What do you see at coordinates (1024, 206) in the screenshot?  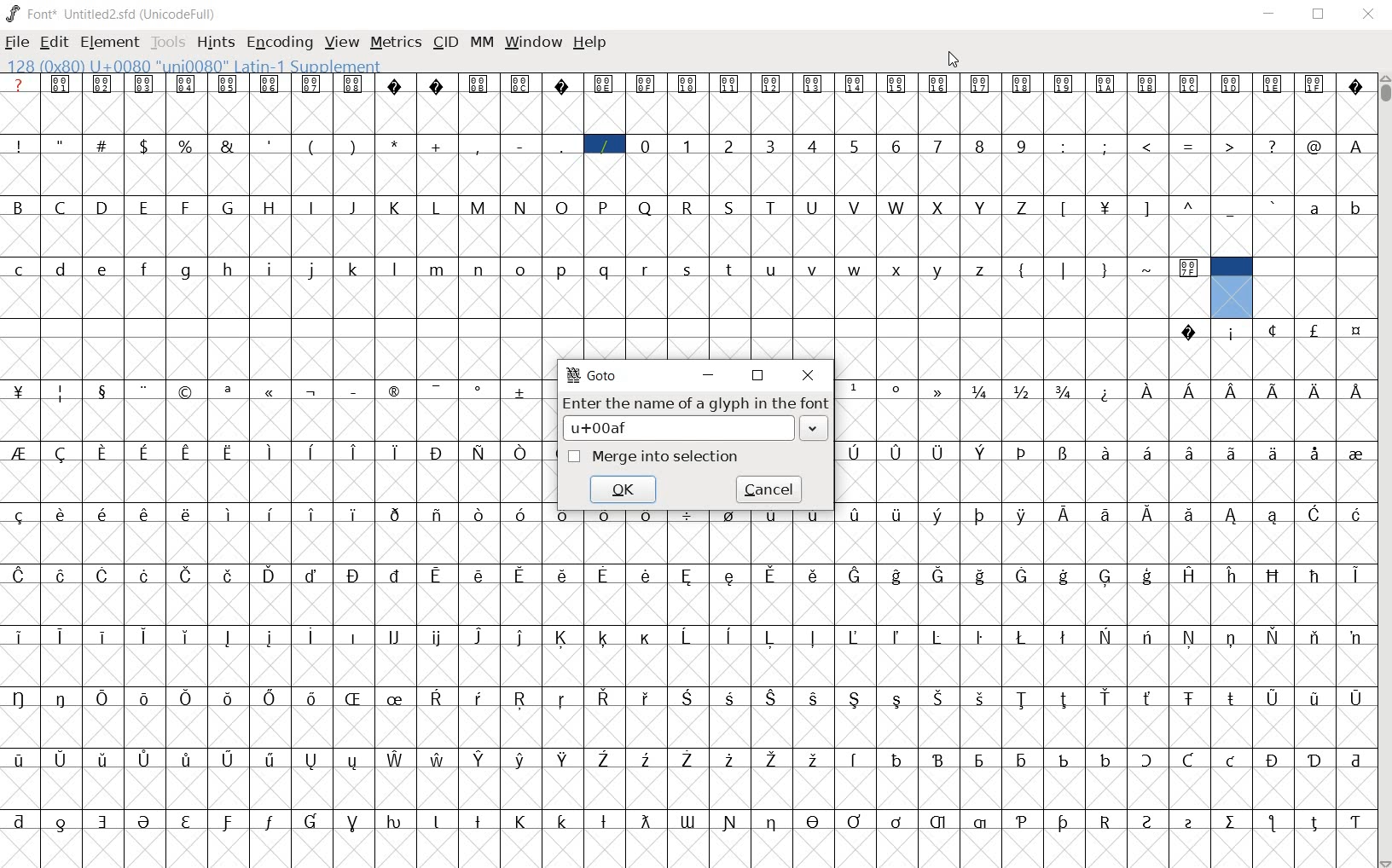 I see `Z` at bounding box center [1024, 206].